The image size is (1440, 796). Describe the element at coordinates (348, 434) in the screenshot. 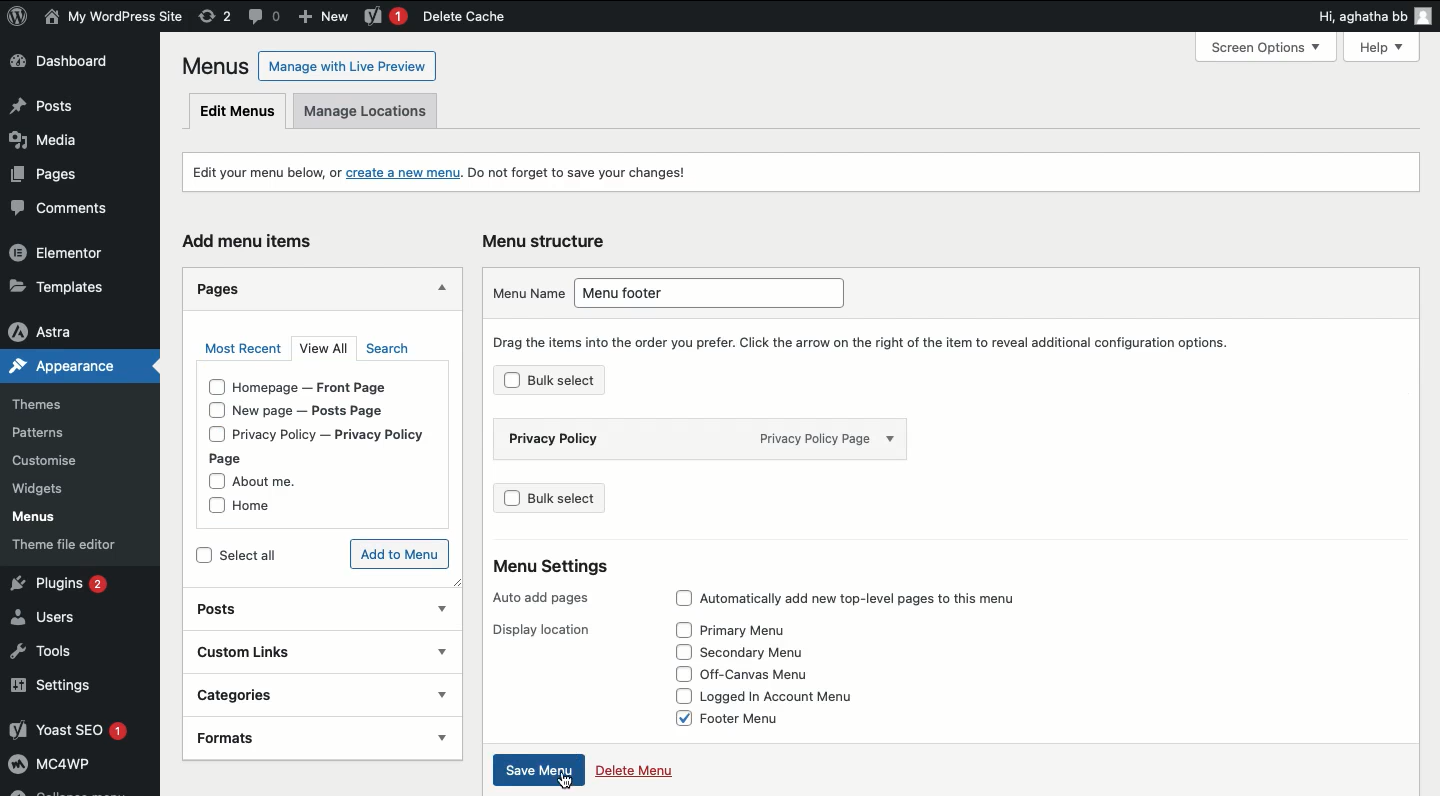

I see `Privacy policy ~ Privacy Policy` at that location.